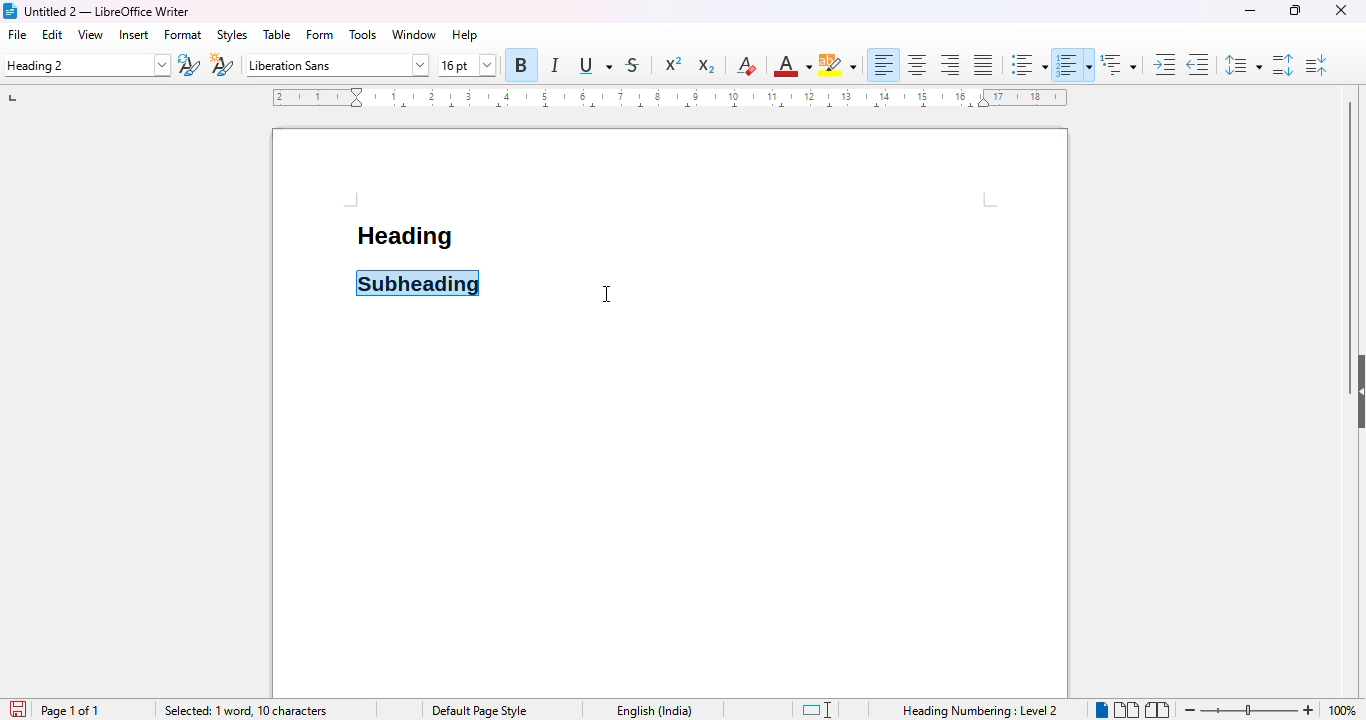 The width and height of the screenshot is (1366, 720). I want to click on align left, so click(884, 65).